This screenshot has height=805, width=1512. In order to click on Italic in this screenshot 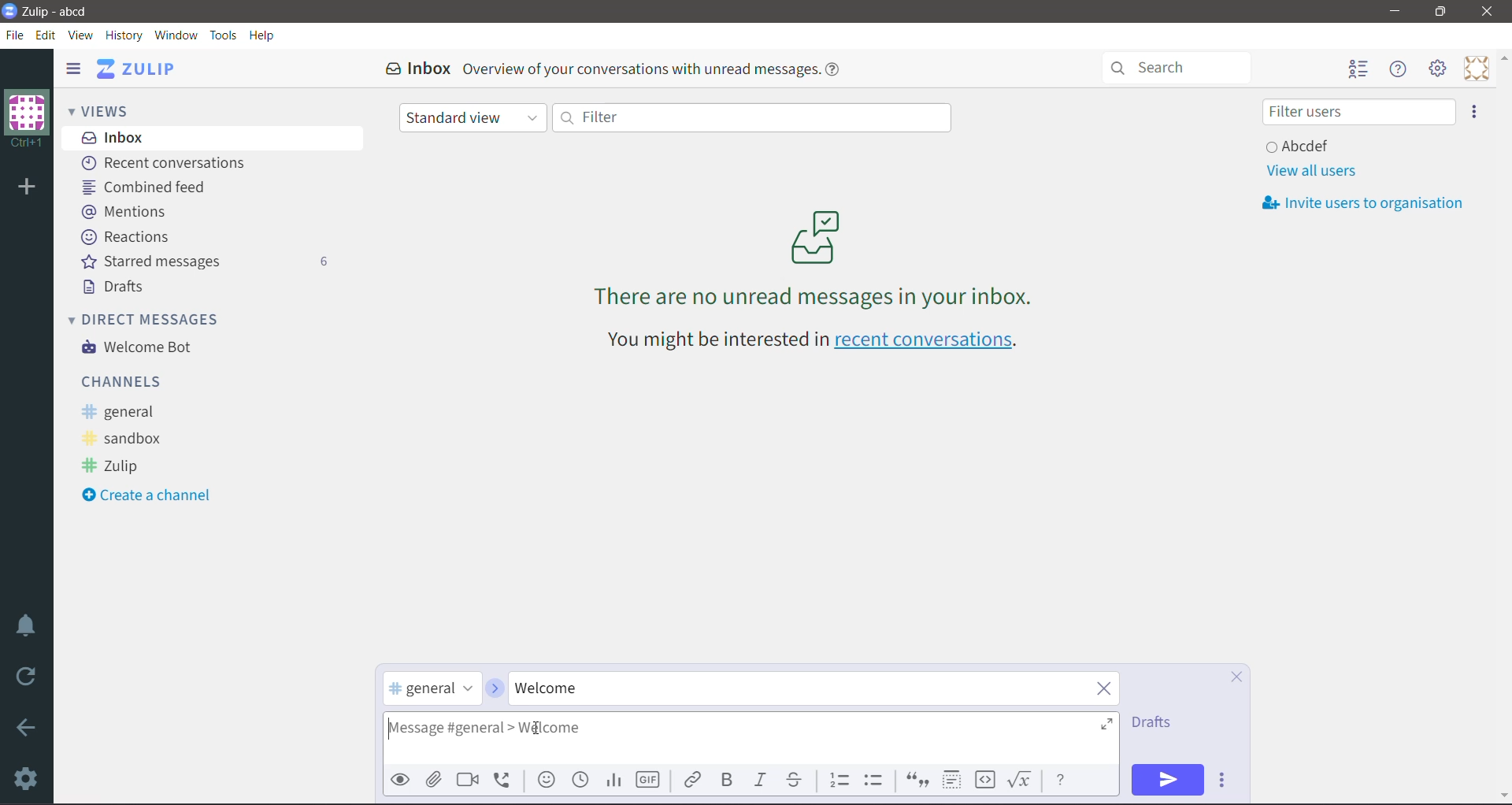, I will do `click(759, 780)`.